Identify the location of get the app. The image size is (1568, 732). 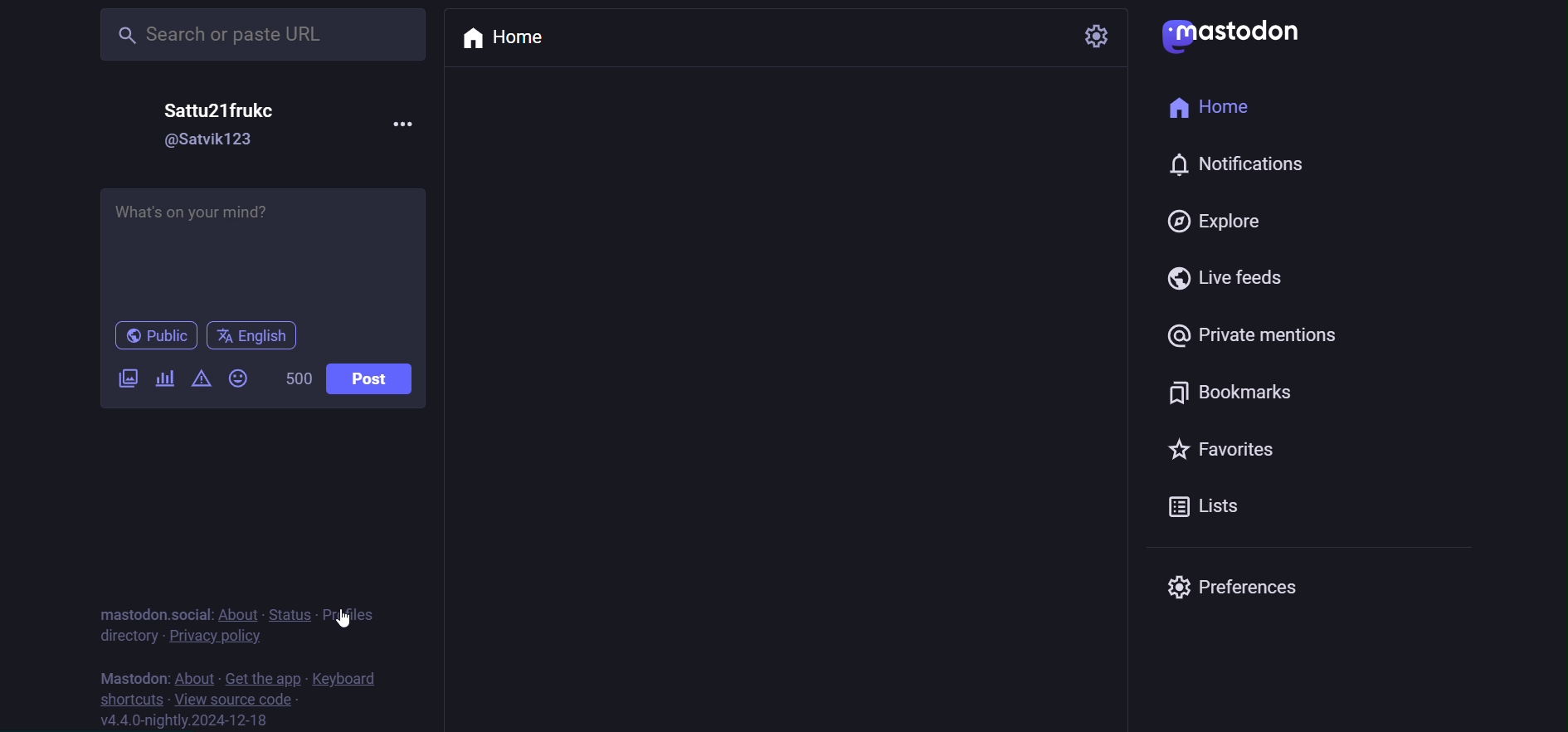
(262, 675).